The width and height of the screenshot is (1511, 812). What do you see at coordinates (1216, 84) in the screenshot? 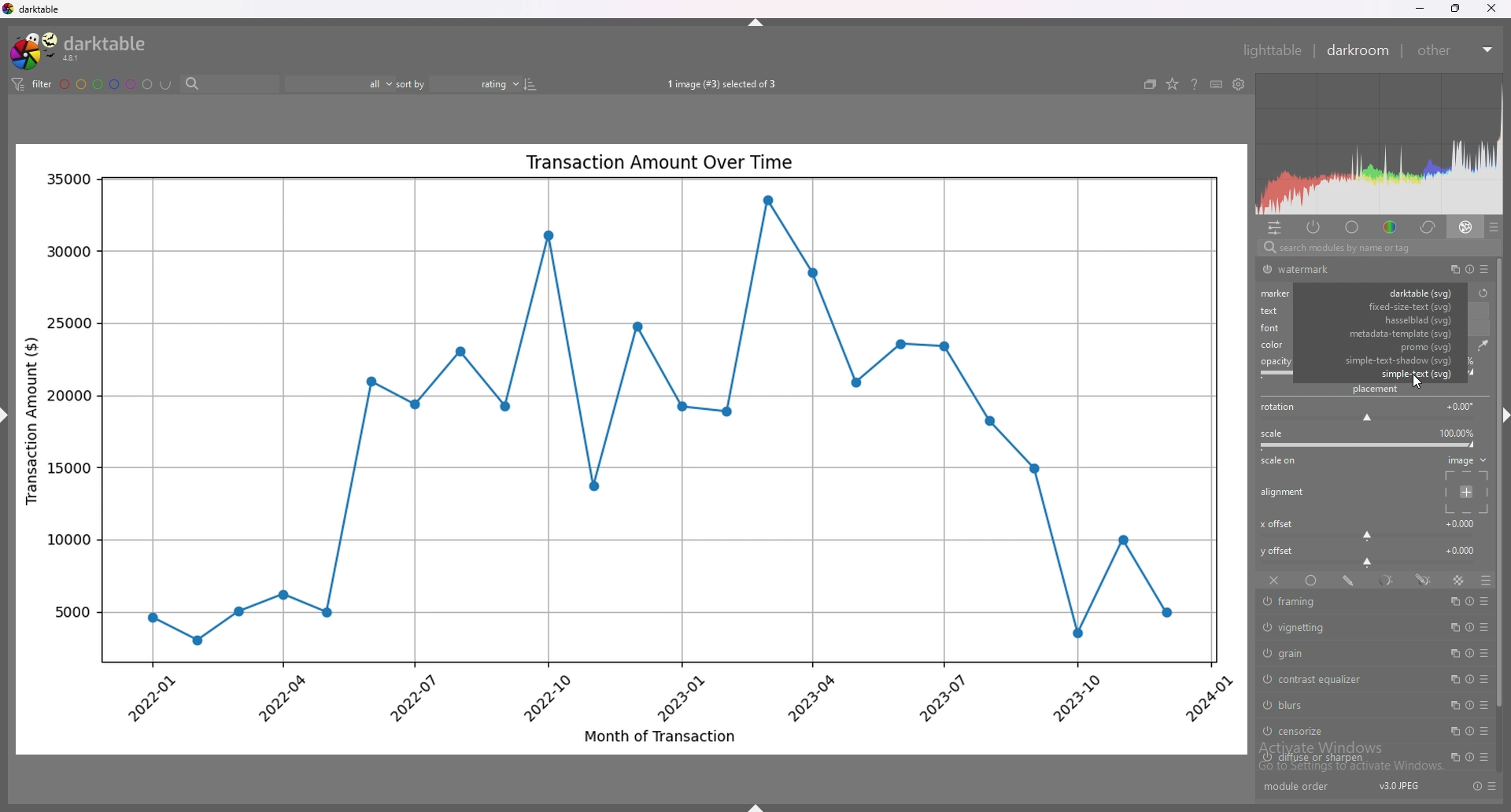
I see `keyboard shortcuts` at bounding box center [1216, 84].